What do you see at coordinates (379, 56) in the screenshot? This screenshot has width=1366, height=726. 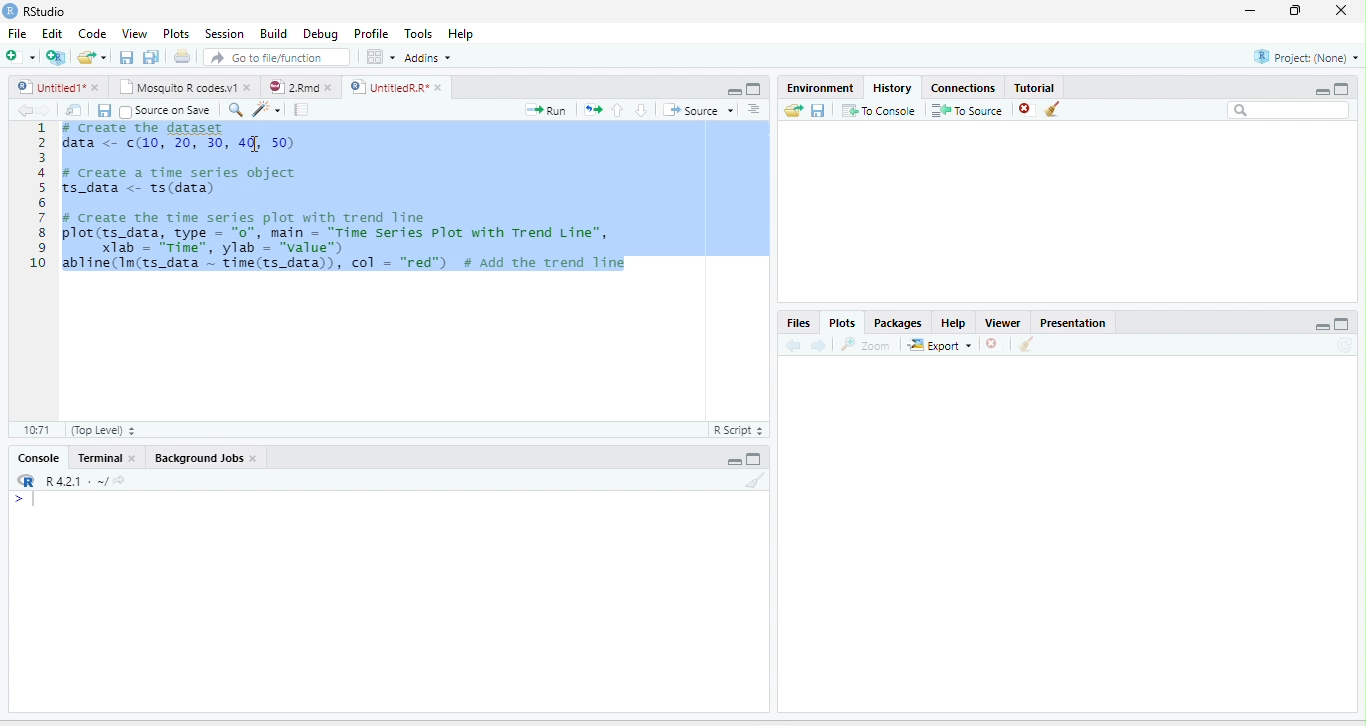 I see `Workspace panes` at bounding box center [379, 56].